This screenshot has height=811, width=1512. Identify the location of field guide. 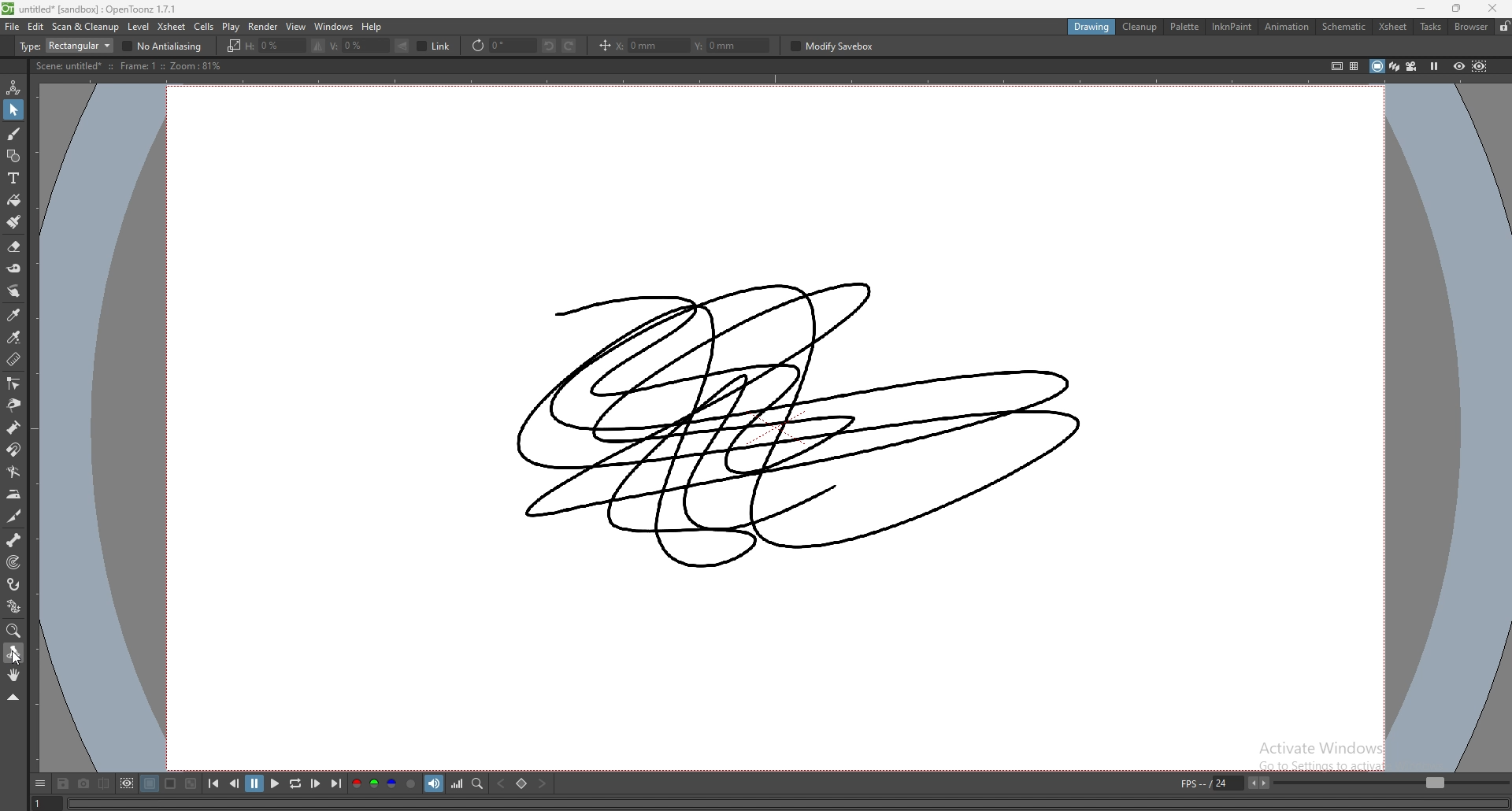
(1354, 66).